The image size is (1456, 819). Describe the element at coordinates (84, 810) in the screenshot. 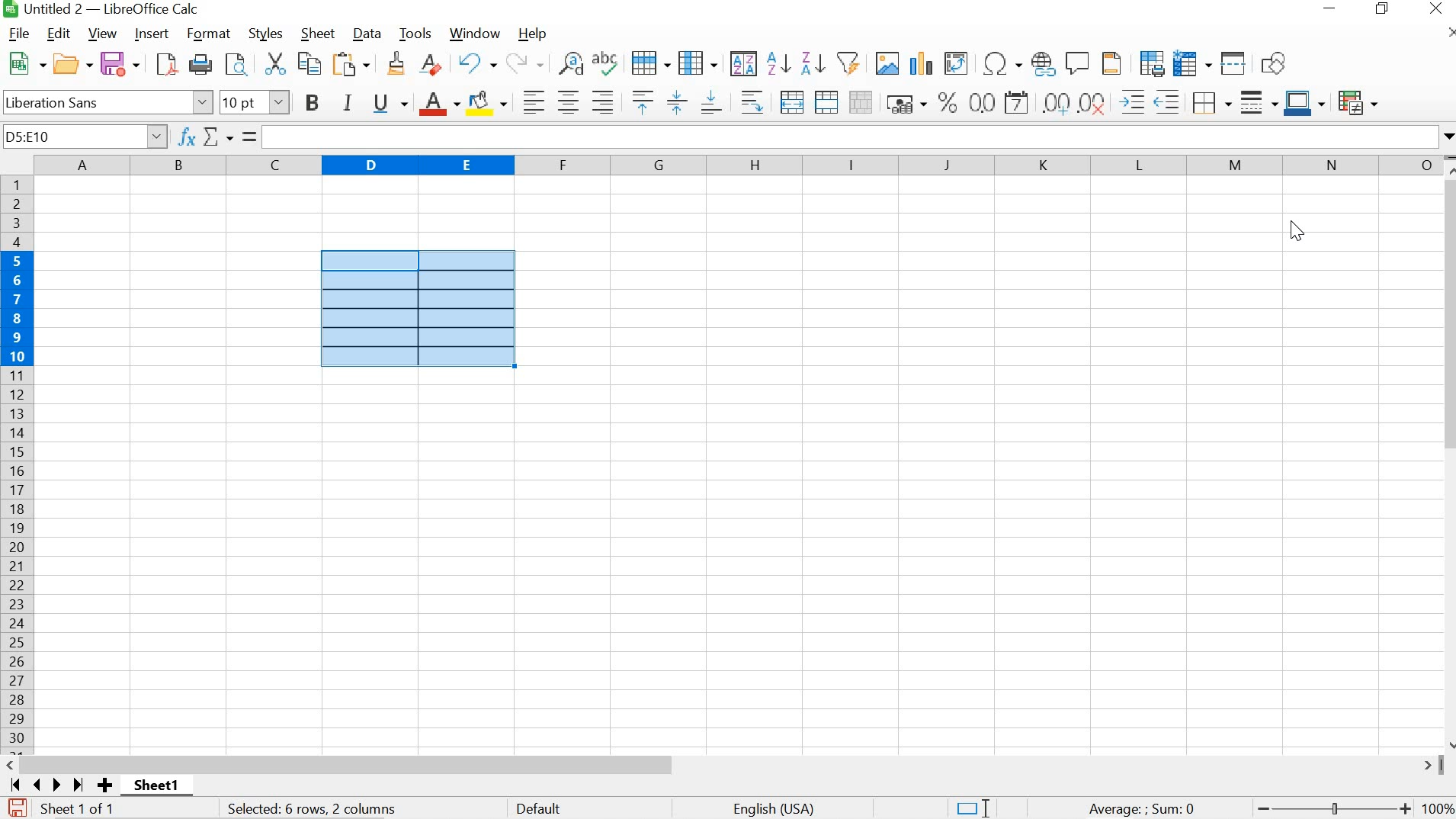

I see `SHEET 1 OF 1` at that location.